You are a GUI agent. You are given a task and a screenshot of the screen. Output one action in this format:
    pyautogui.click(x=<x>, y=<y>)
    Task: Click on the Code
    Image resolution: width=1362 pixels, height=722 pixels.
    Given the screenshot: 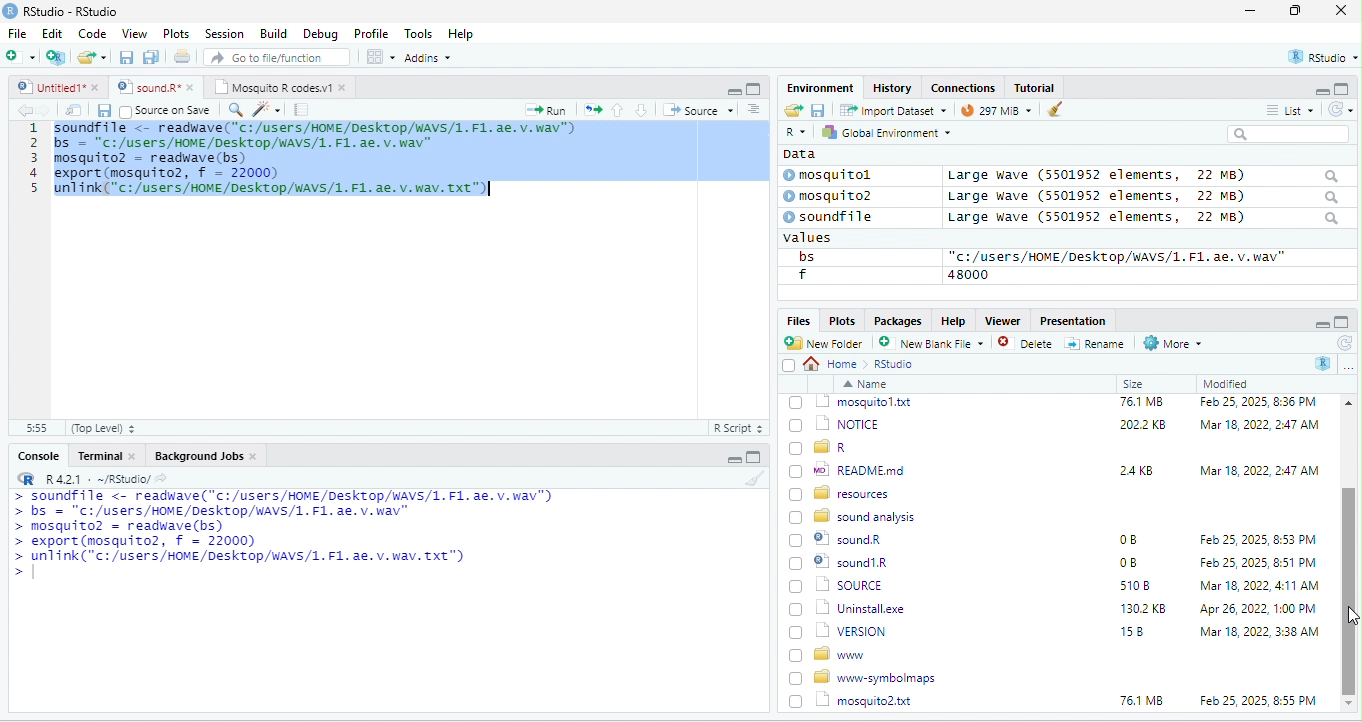 What is the action you would take?
    pyautogui.click(x=93, y=33)
    